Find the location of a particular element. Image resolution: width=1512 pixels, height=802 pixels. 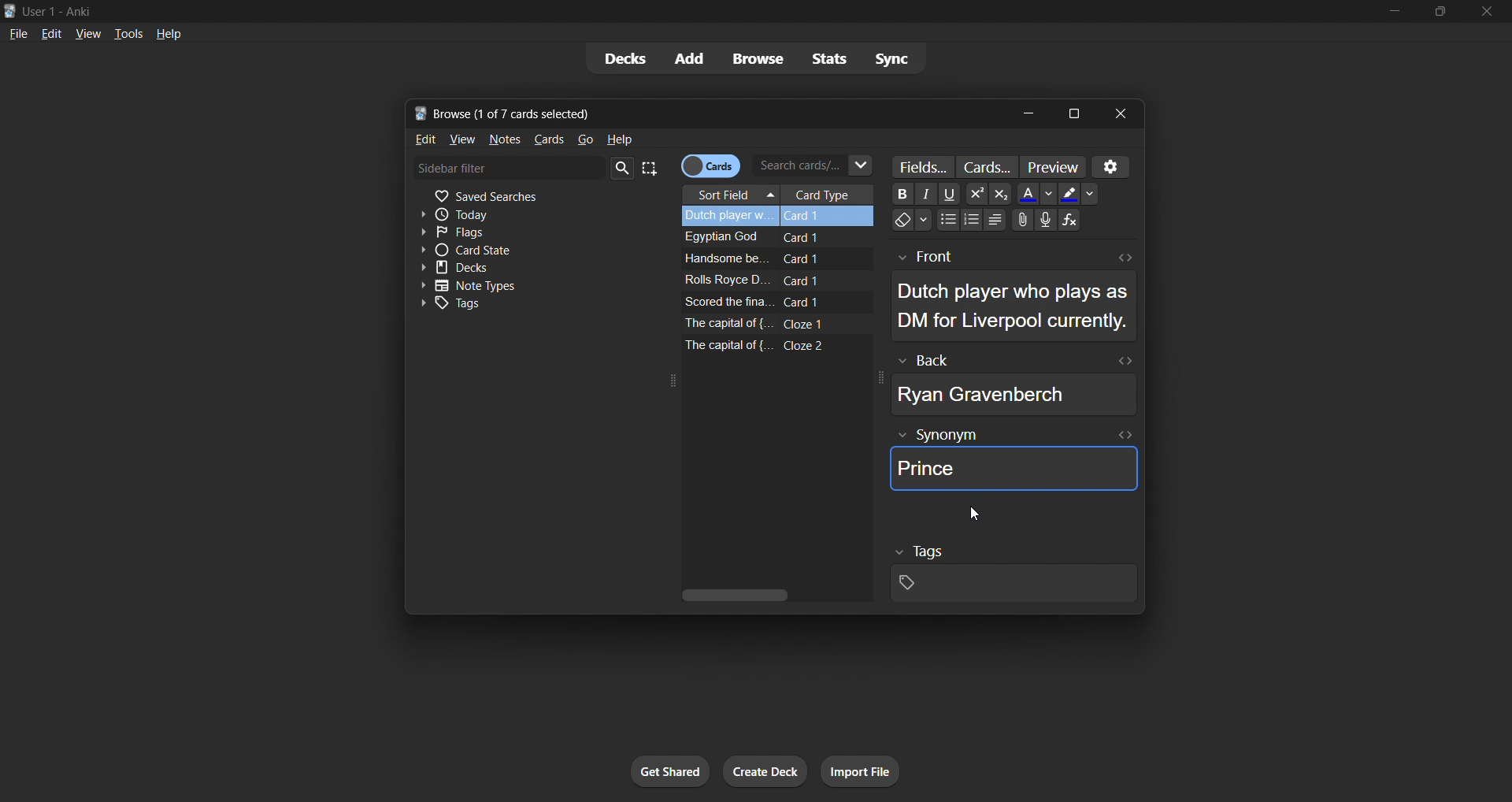

cursor is located at coordinates (978, 512).